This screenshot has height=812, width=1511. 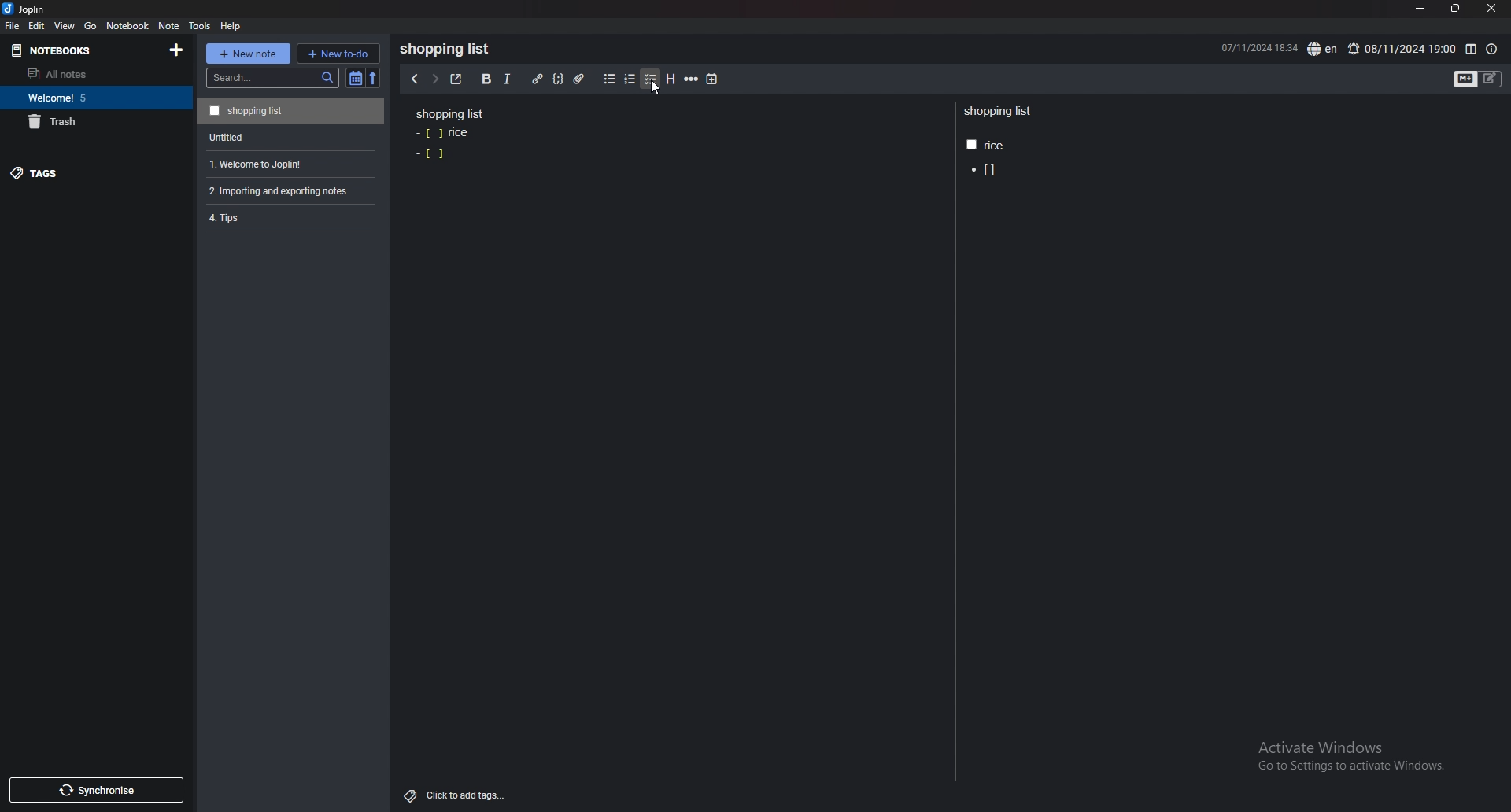 I want to click on add notebooks, so click(x=177, y=49).